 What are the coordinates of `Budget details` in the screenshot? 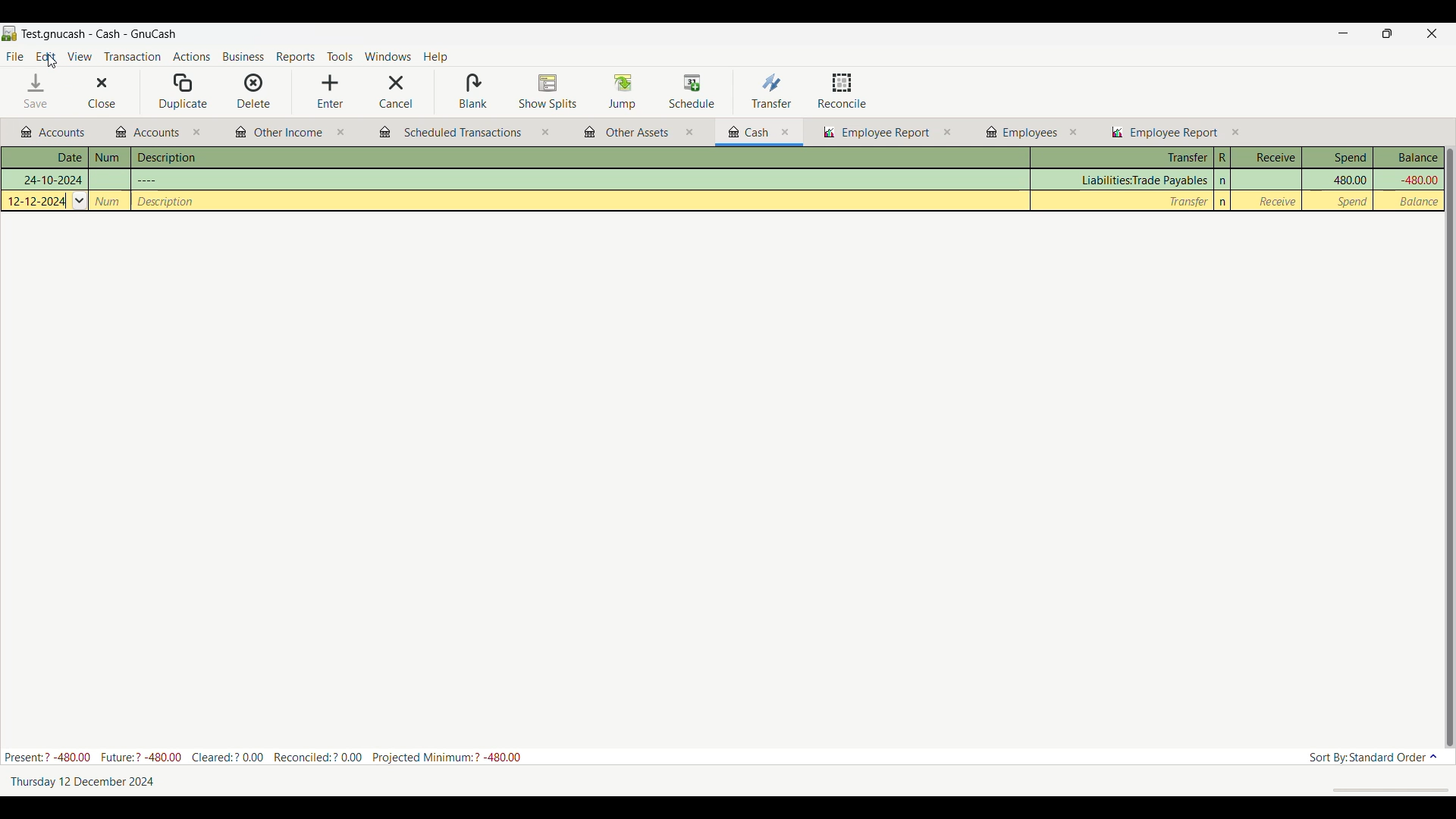 It's located at (262, 757).